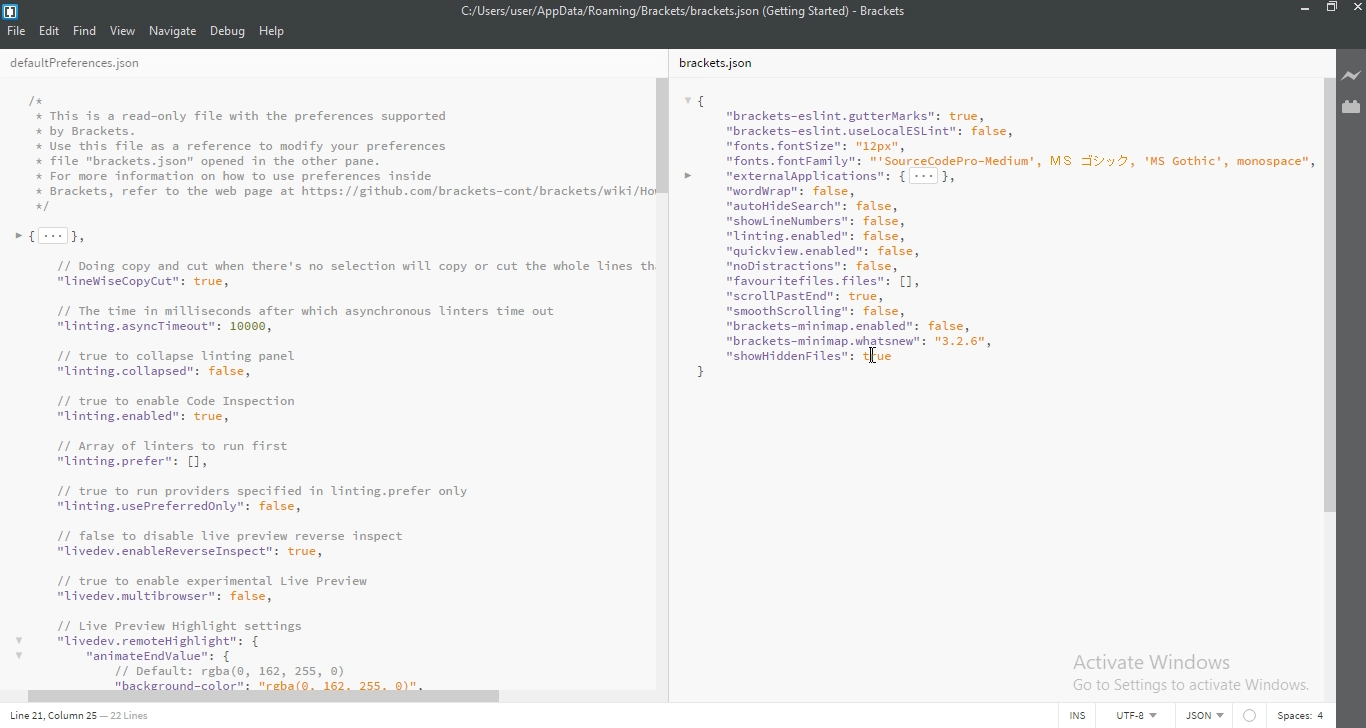 The height and width of the screenshot is (728, 1366). What do you see at coordinates (1357, 8) in the screenshot?
I see `close` at bounding box center [1357, 8].